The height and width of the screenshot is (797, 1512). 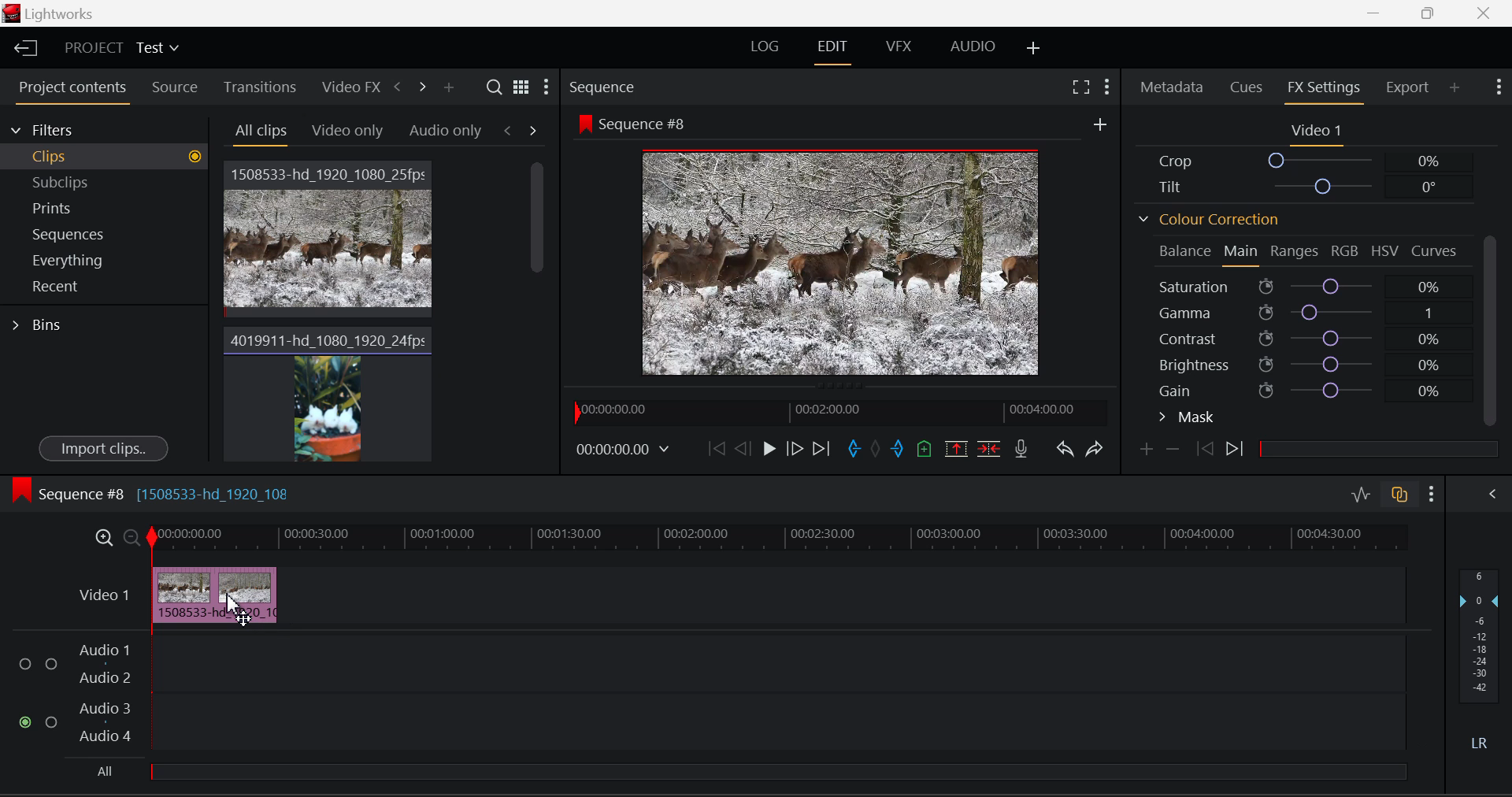 What do you see at coordinates (1429, 493) in the screenshot?
I see `Show Settings` at bounding box center [1429, 493].